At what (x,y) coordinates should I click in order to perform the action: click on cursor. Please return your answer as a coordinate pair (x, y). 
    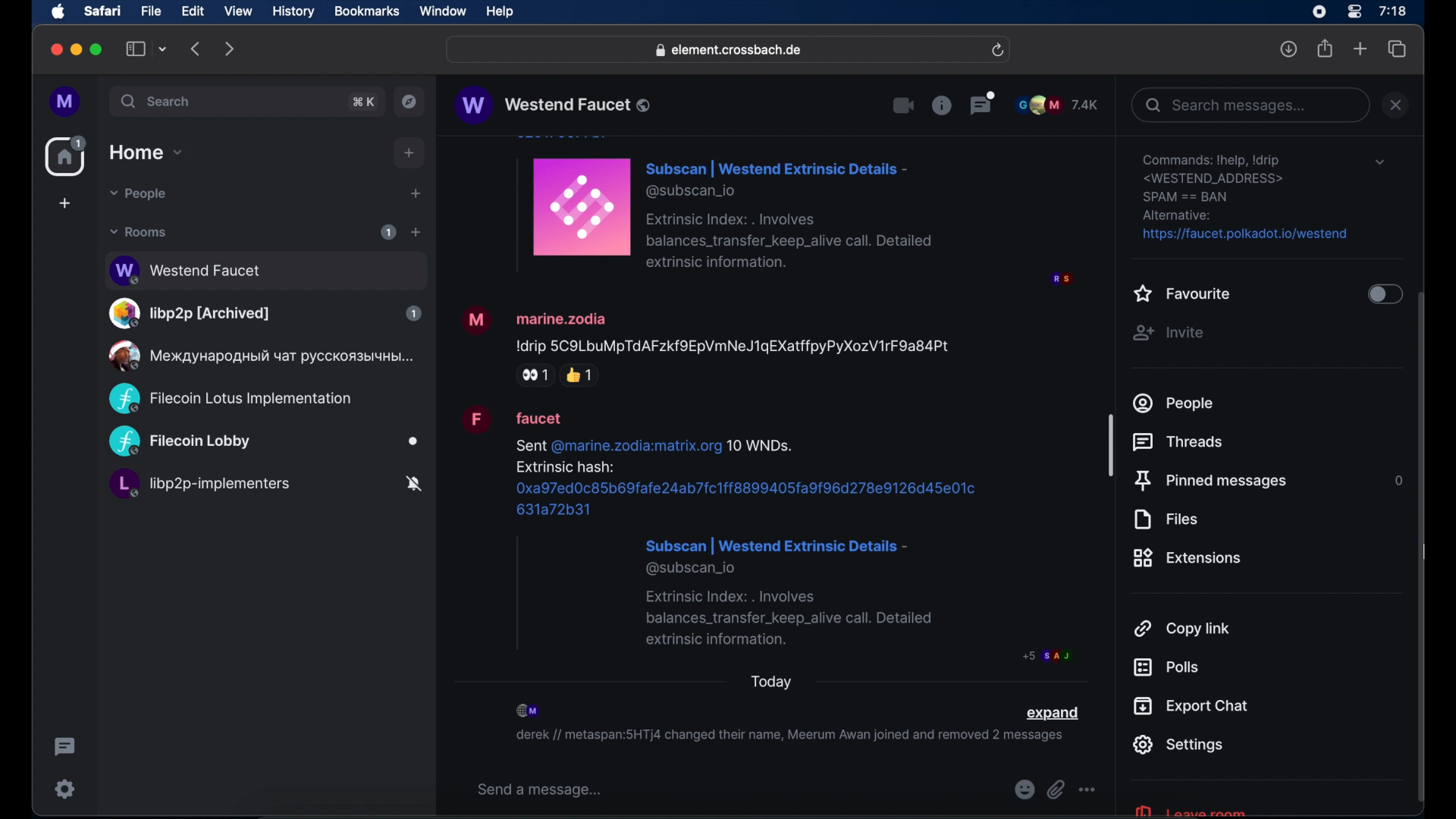
    Looking at the image, I should click on (1423, 552).